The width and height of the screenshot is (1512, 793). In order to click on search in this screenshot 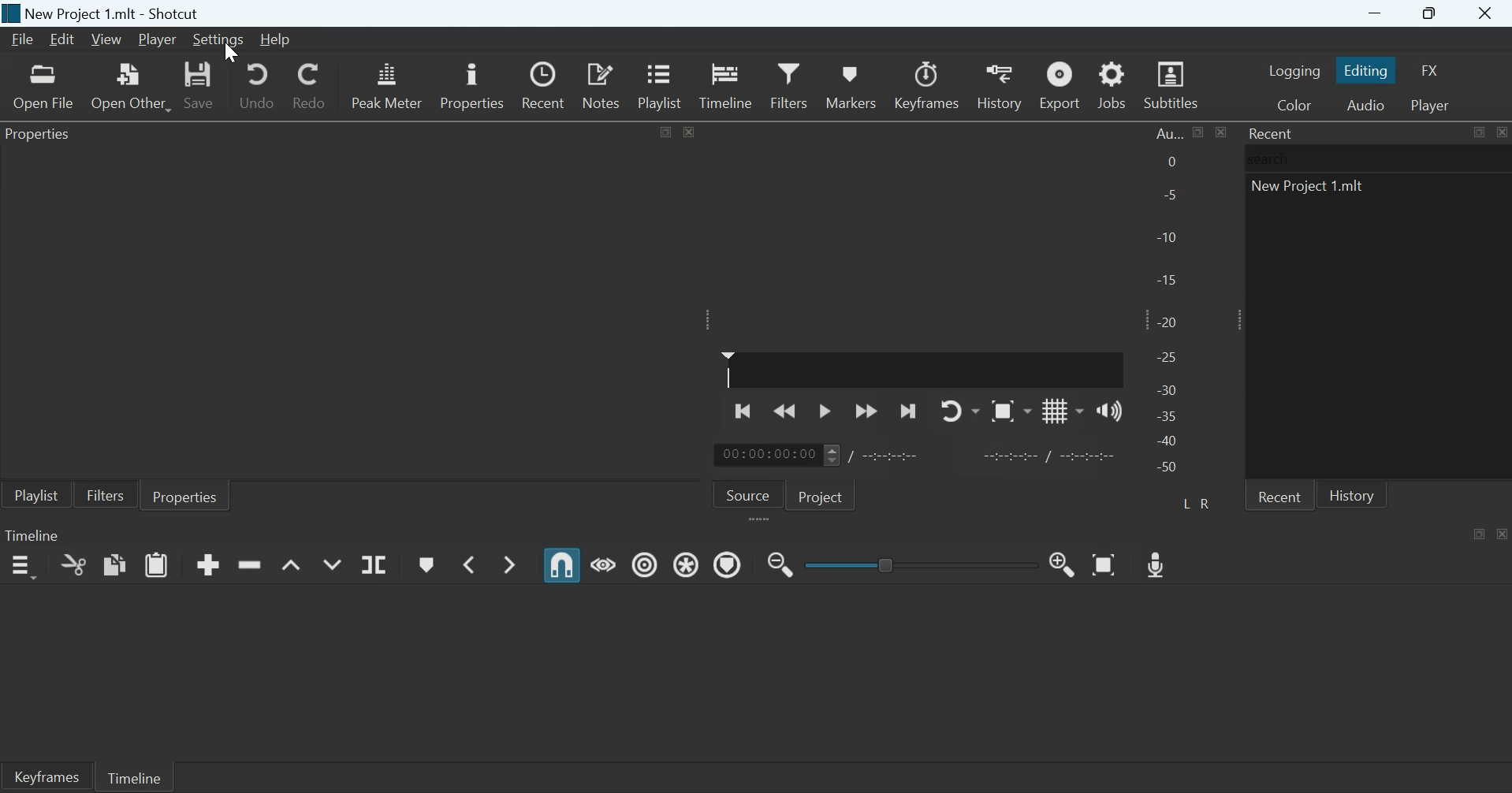, I will do `click(1273, 158)`.